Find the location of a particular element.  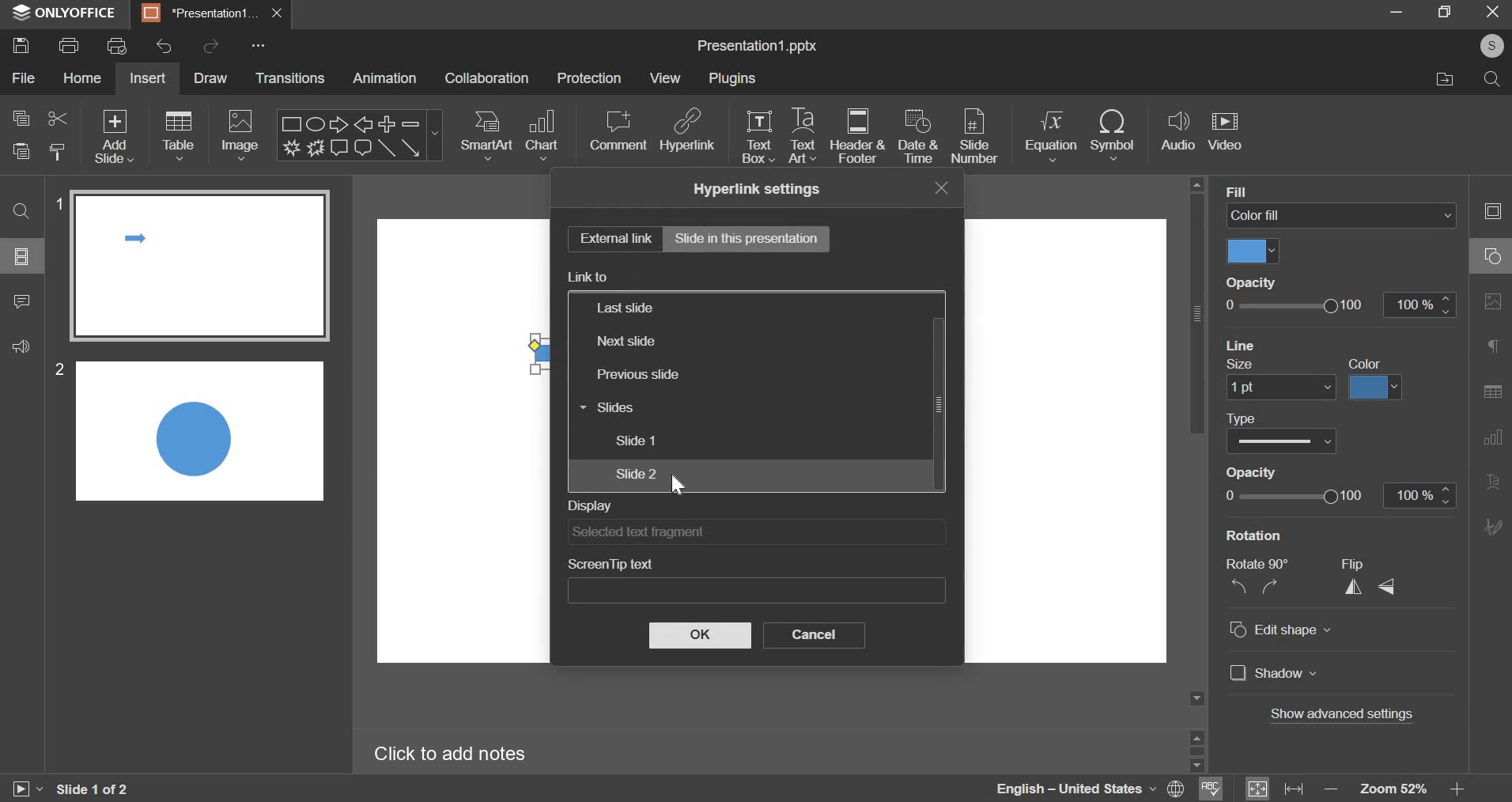

select fill color is located at coordinates (1254, 251).